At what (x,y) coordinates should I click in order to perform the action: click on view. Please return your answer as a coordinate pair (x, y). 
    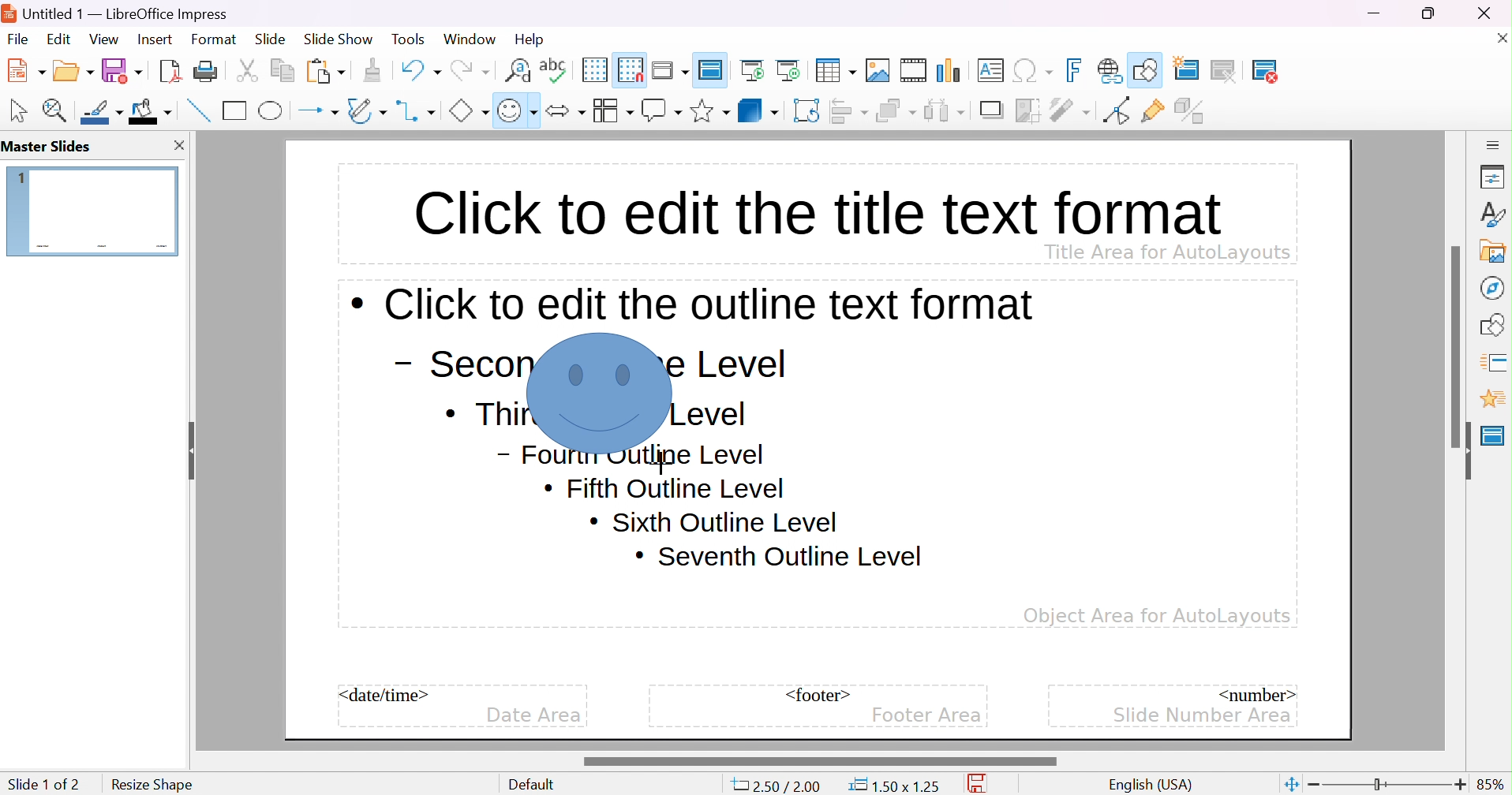
    Looking at the image, I should click on (103, 39).